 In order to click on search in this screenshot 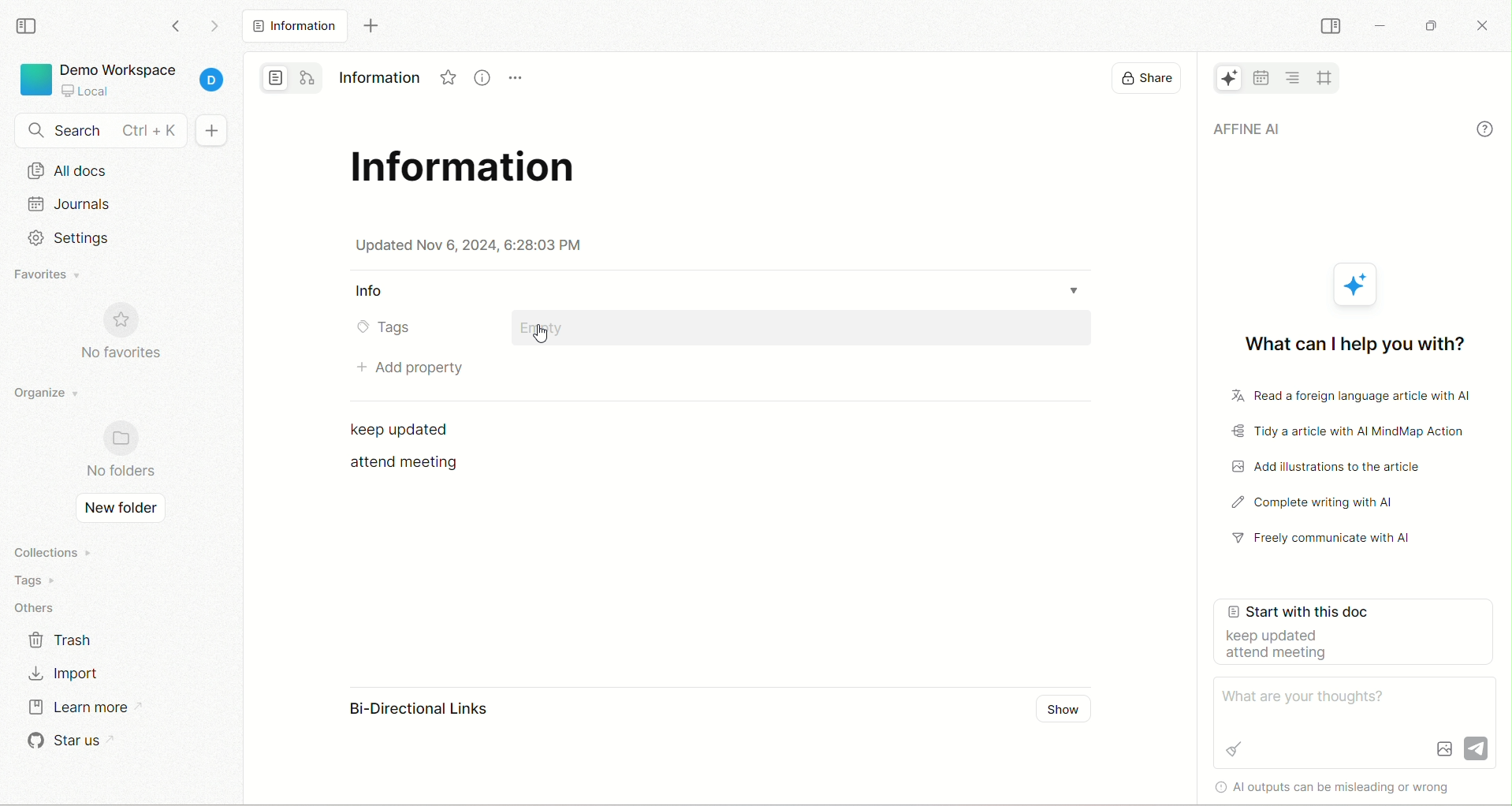, I will do `click(95, 131)`.